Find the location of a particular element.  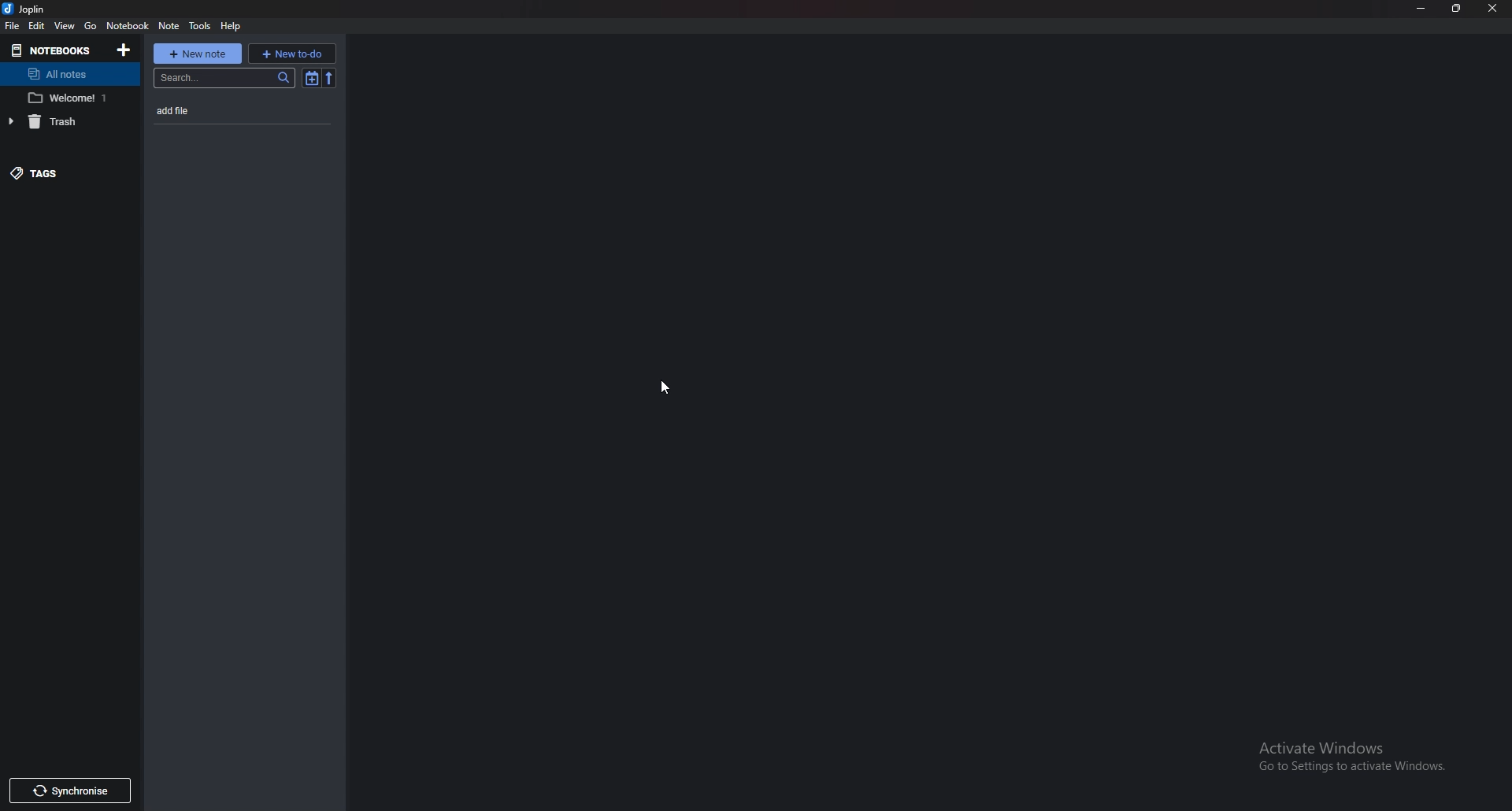

Reverse sort order is located at coordinates (330, 78).